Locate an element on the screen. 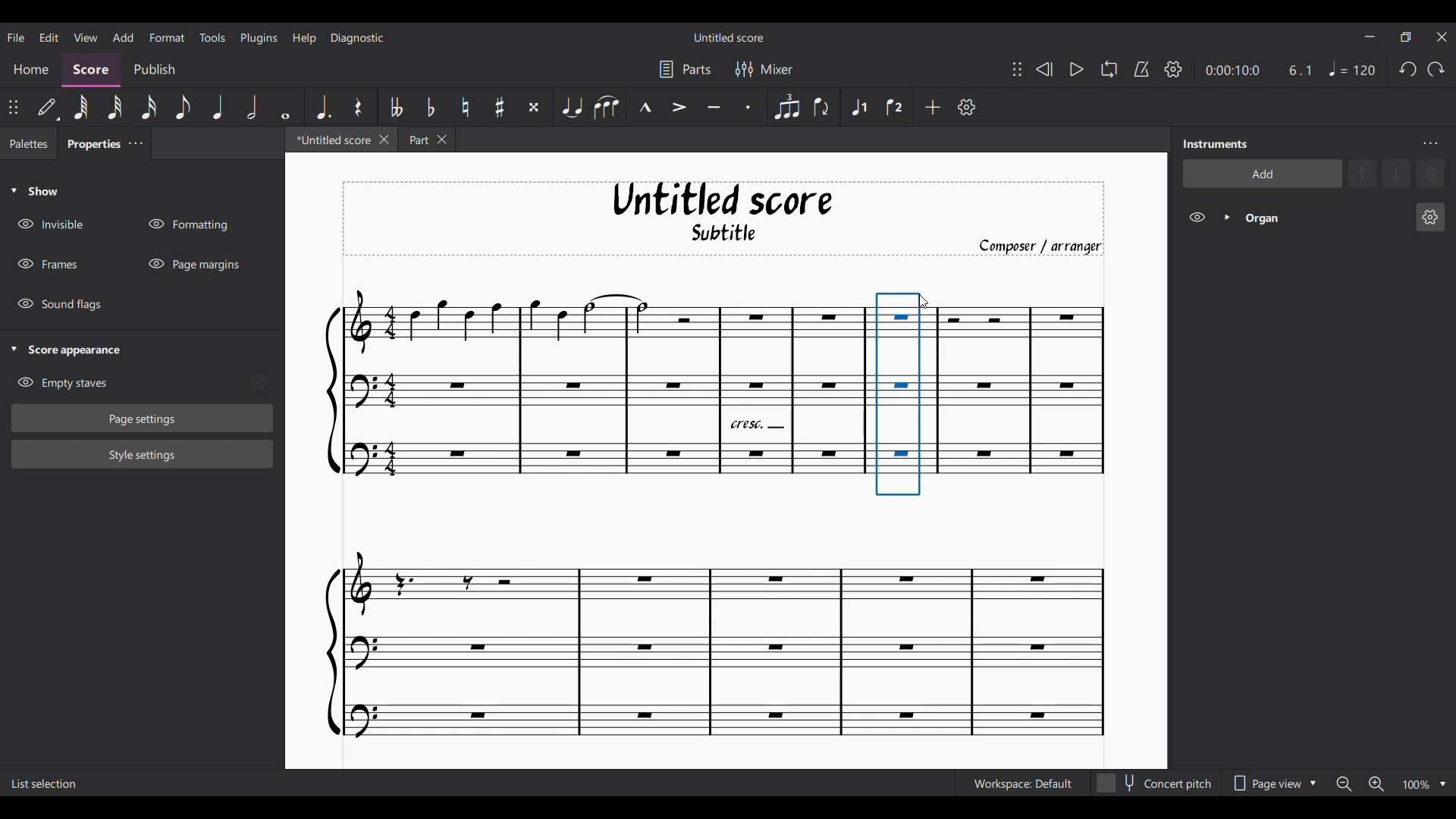 The height and width of the screenshot is (819, 1456). Toggle sharp is located at coordinates (499, 108).